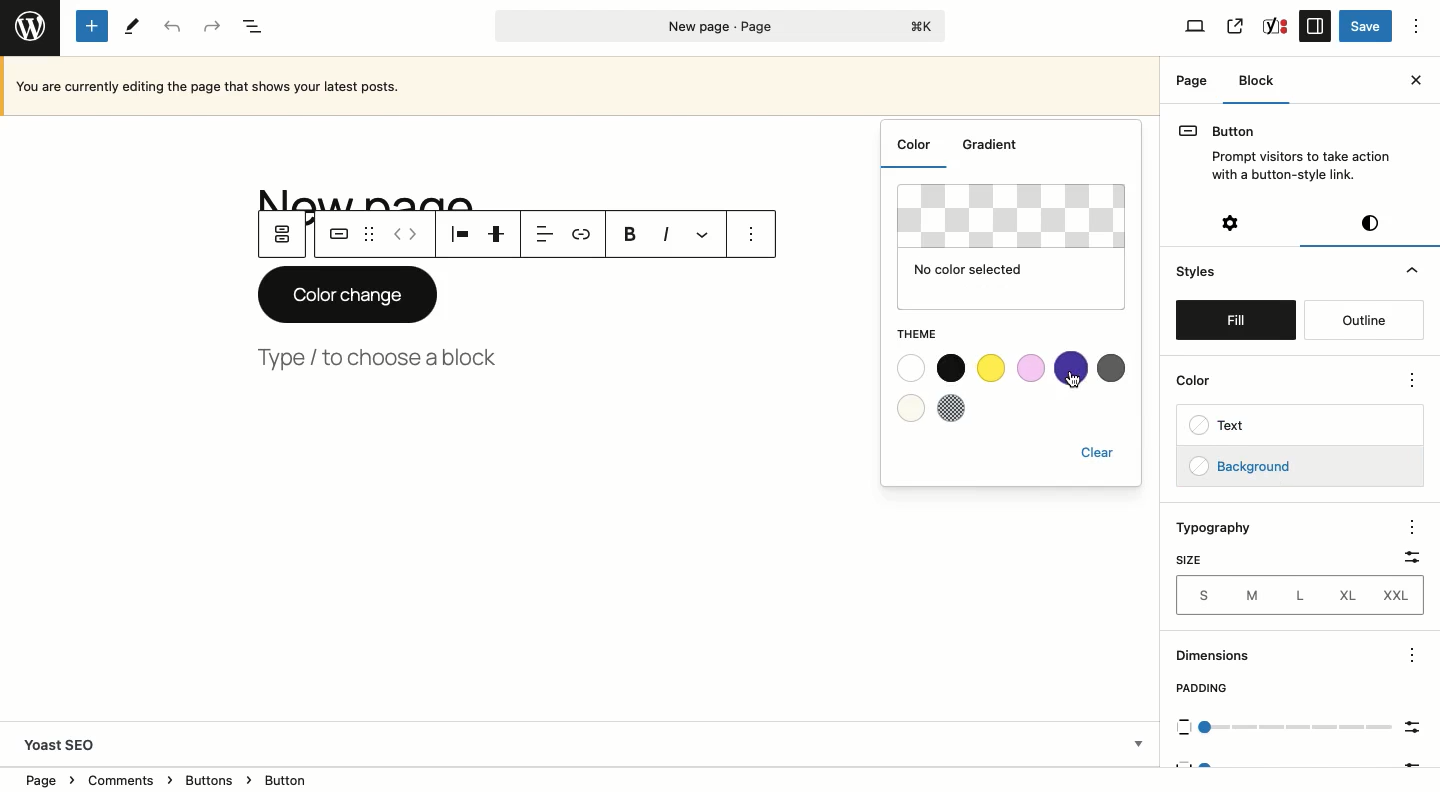 The height and width of the screenshot is (792, 1440). I want to click on Document overview, so click(256, 28).